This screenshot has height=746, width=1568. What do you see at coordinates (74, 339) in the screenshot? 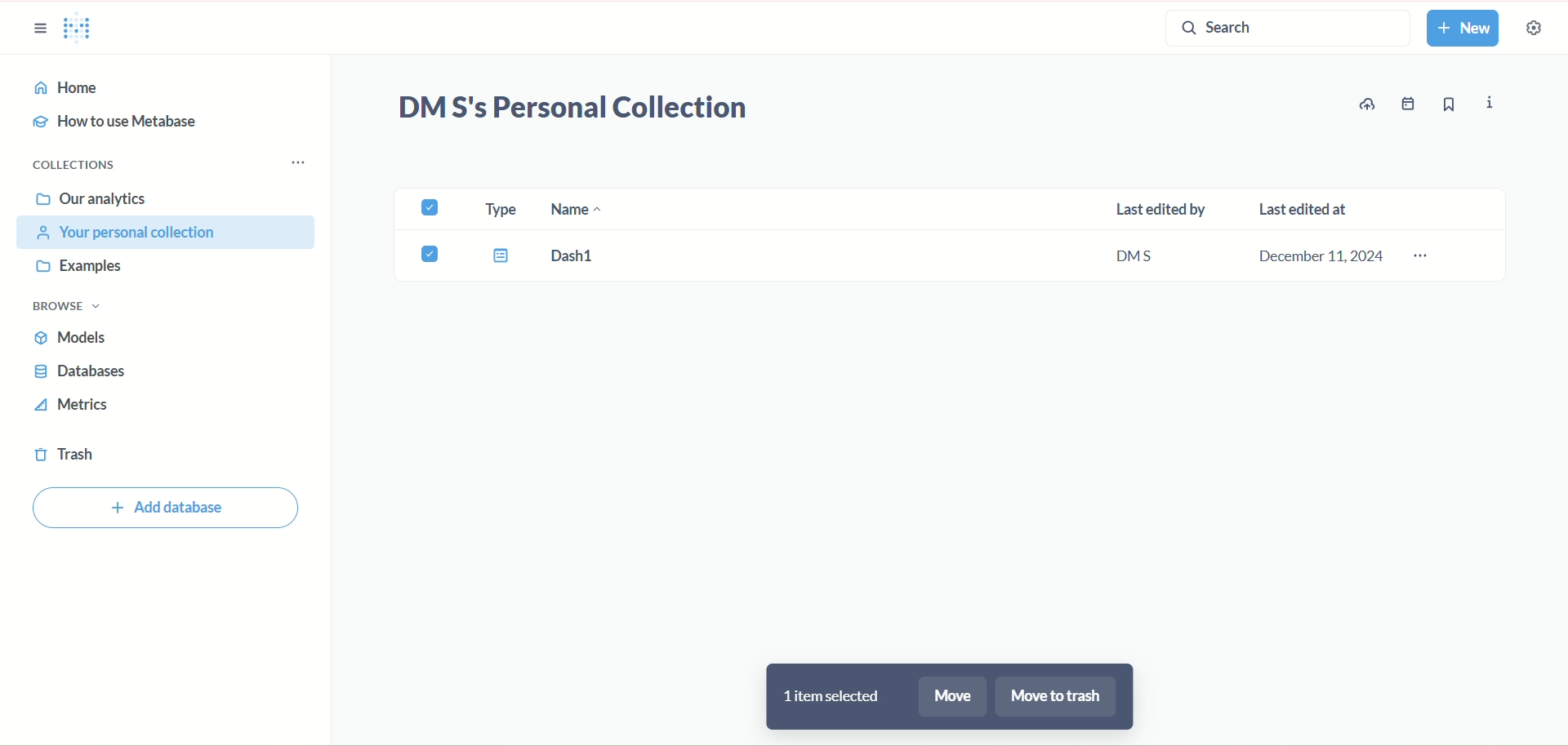
I see `models` at bounding box center [74, 339].